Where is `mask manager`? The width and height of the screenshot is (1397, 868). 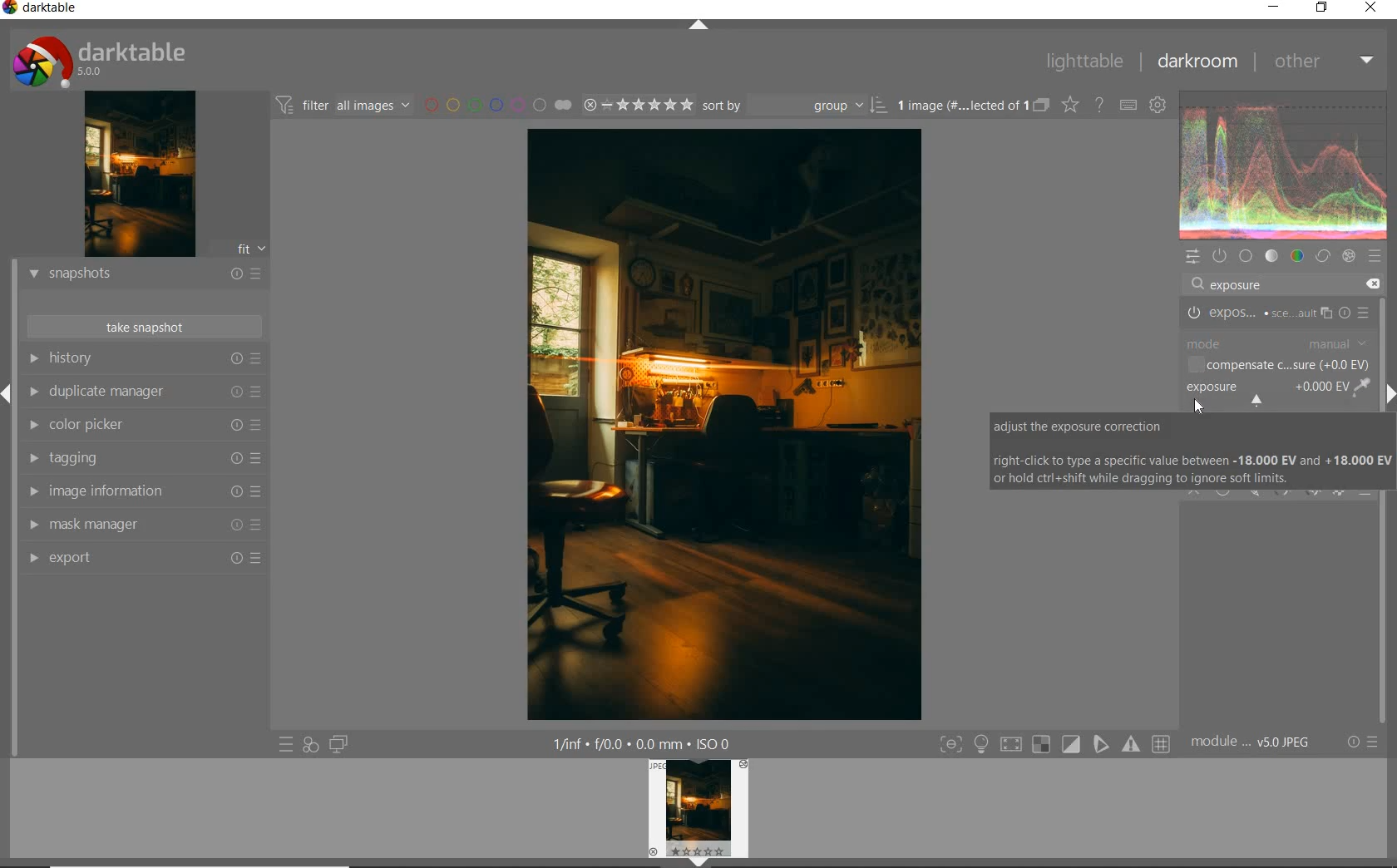
mask manager is located at coordinates (141, 526).